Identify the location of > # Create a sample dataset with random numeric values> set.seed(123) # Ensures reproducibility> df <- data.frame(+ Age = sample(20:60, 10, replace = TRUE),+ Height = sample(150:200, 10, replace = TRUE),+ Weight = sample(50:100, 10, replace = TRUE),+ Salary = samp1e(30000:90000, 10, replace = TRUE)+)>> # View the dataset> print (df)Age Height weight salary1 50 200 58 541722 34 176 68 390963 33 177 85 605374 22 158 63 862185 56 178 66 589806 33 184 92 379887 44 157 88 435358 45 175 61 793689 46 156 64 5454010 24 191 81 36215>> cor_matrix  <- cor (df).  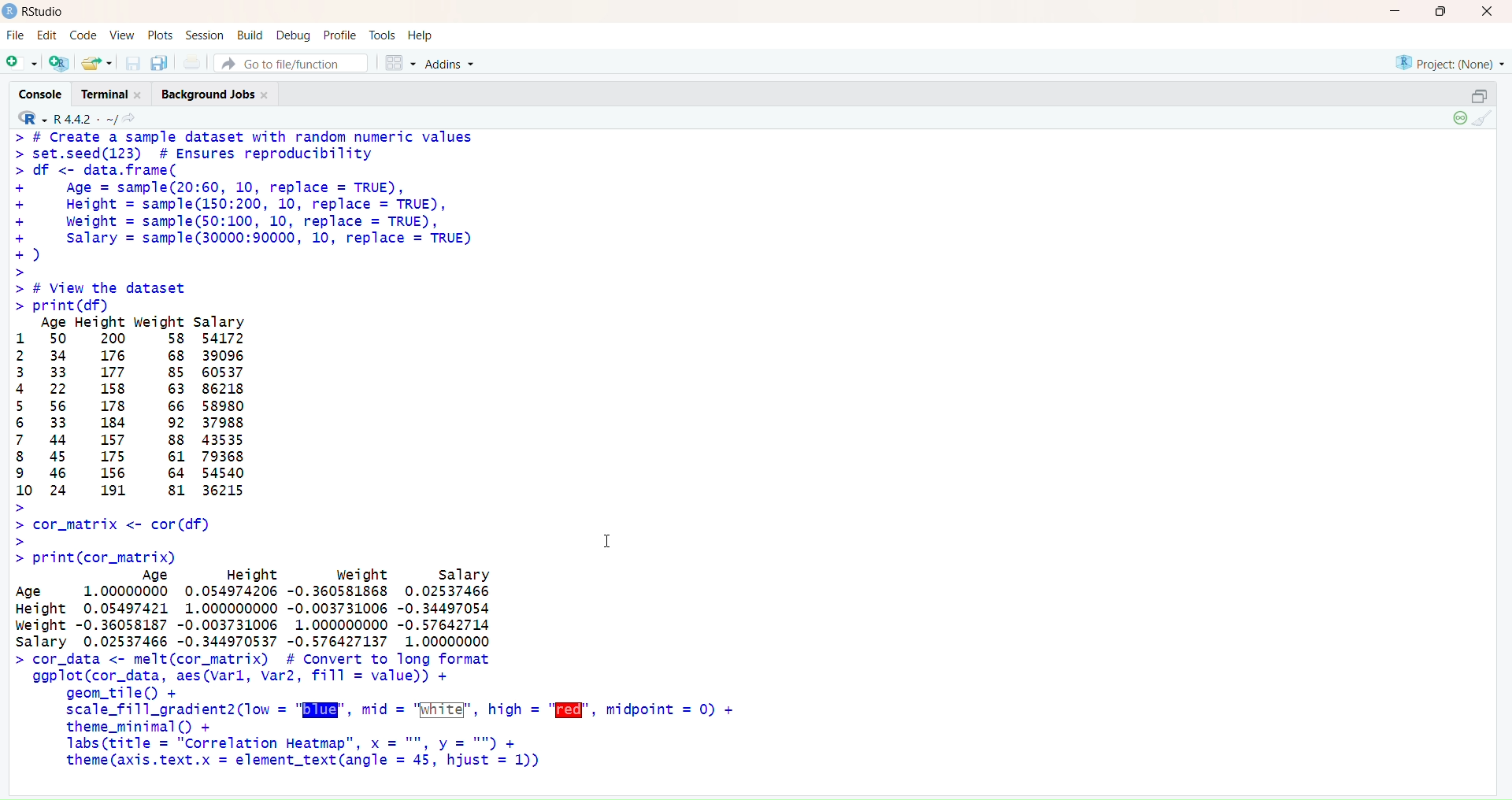
(263, 338).